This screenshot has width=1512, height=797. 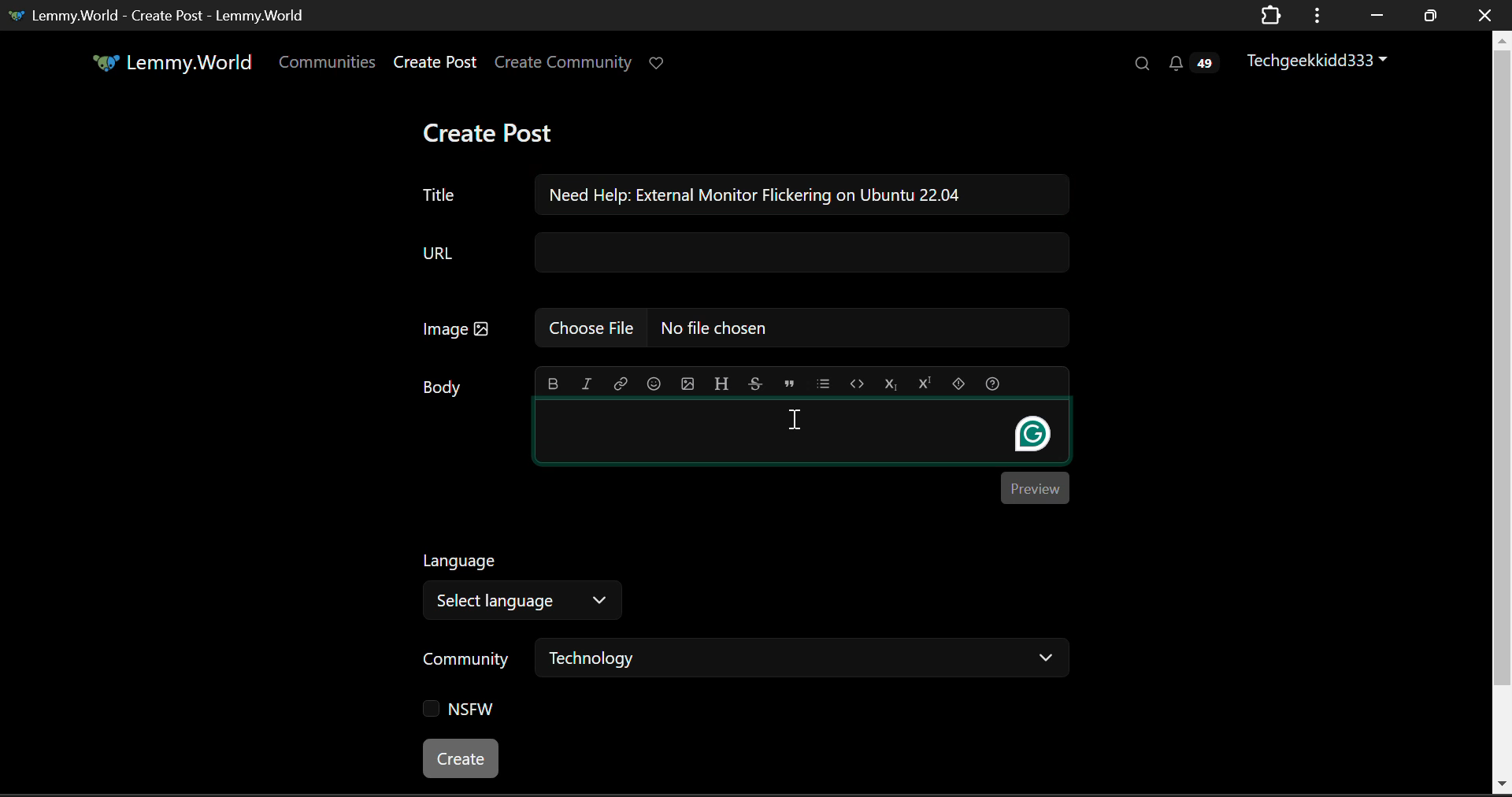 I want to click on Superscript, so click(x=925, y=385).